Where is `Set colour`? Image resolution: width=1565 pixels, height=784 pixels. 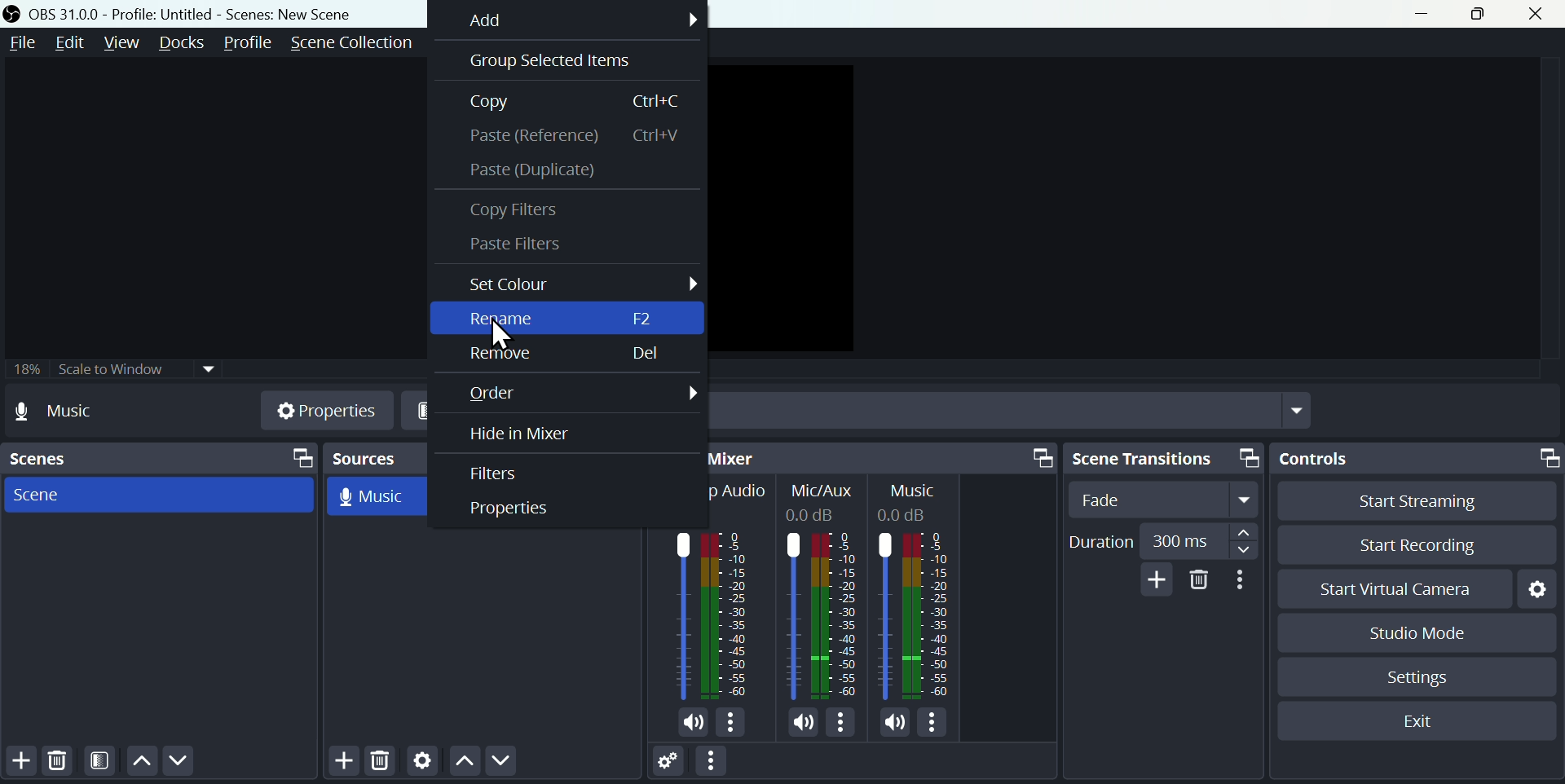 Set colour is located at coordinates (585, 282).